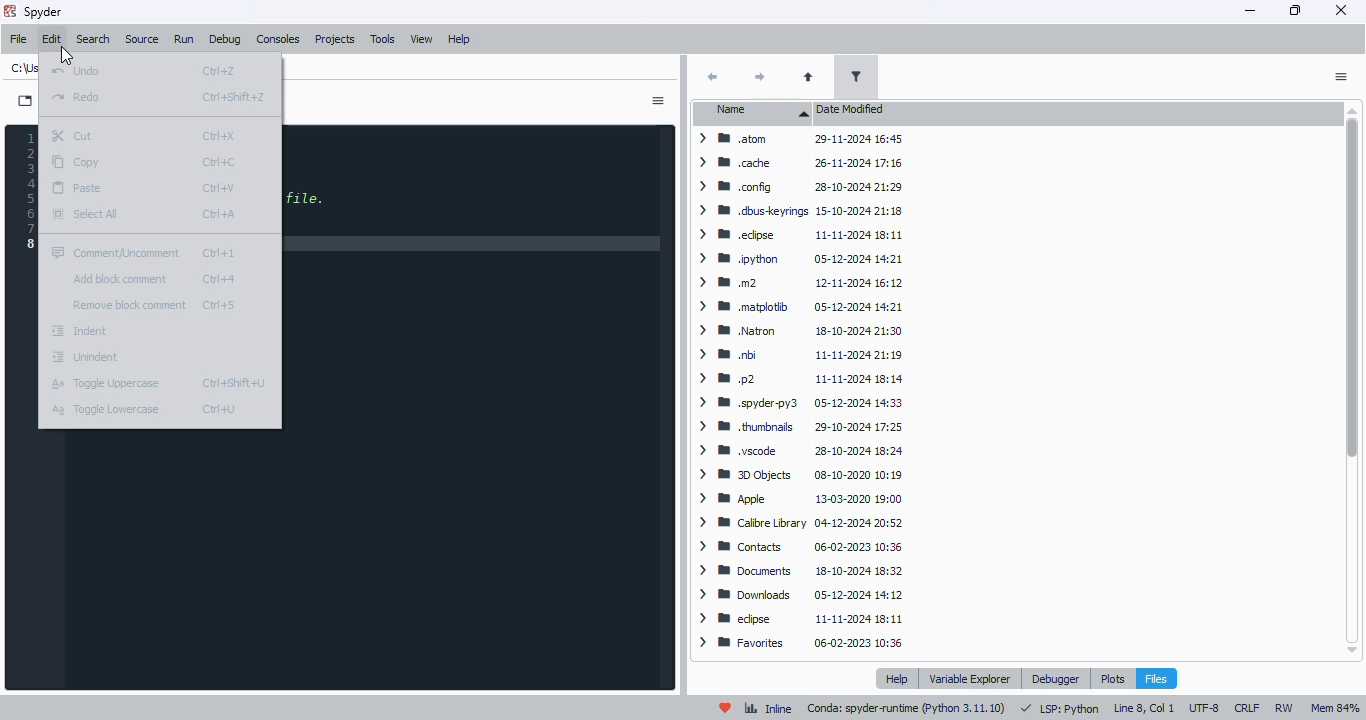  What do you see at coordinates (1348, 382) in the screenshot?
I see `vertical scroll bar` at bounding box center [1348, 382].